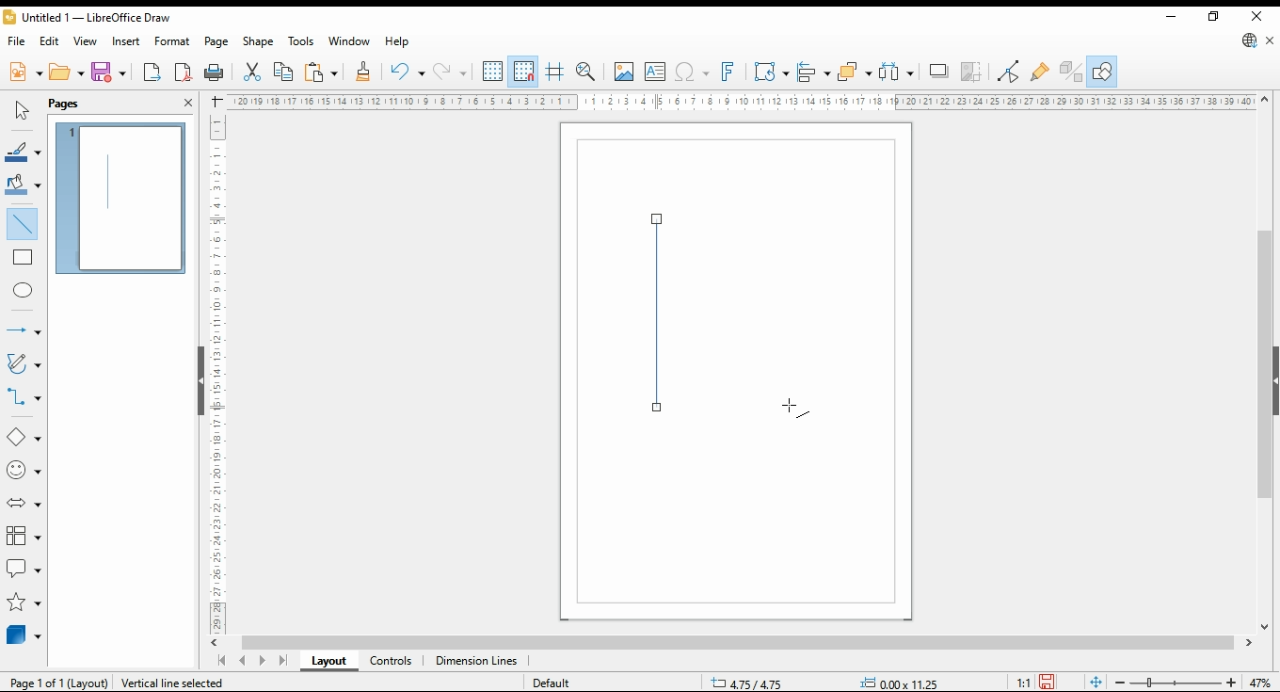  I want to click on mouse pointer, so click(796, 407).